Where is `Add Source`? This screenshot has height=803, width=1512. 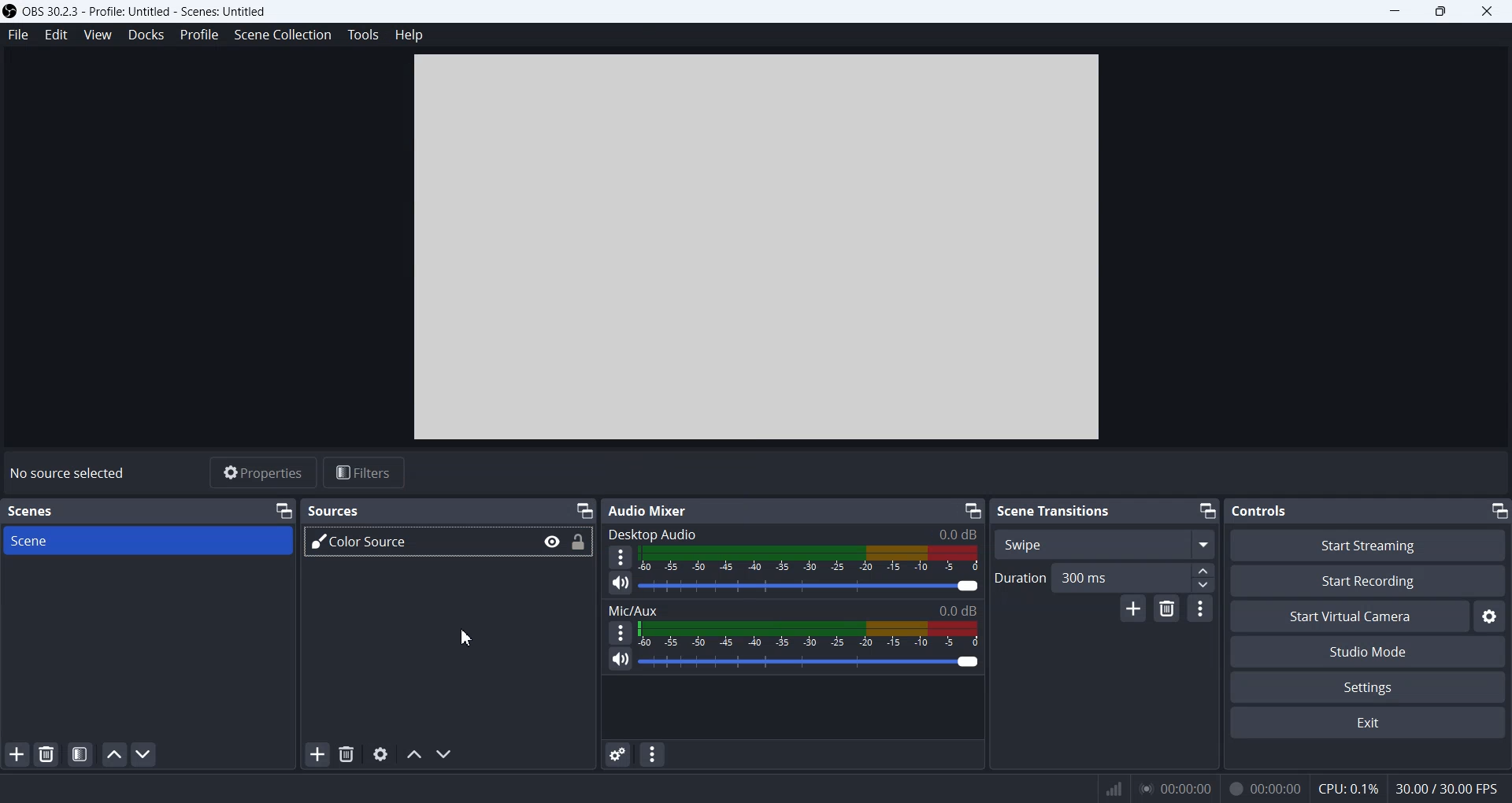 Add Source is located at coordinates (317, 756).